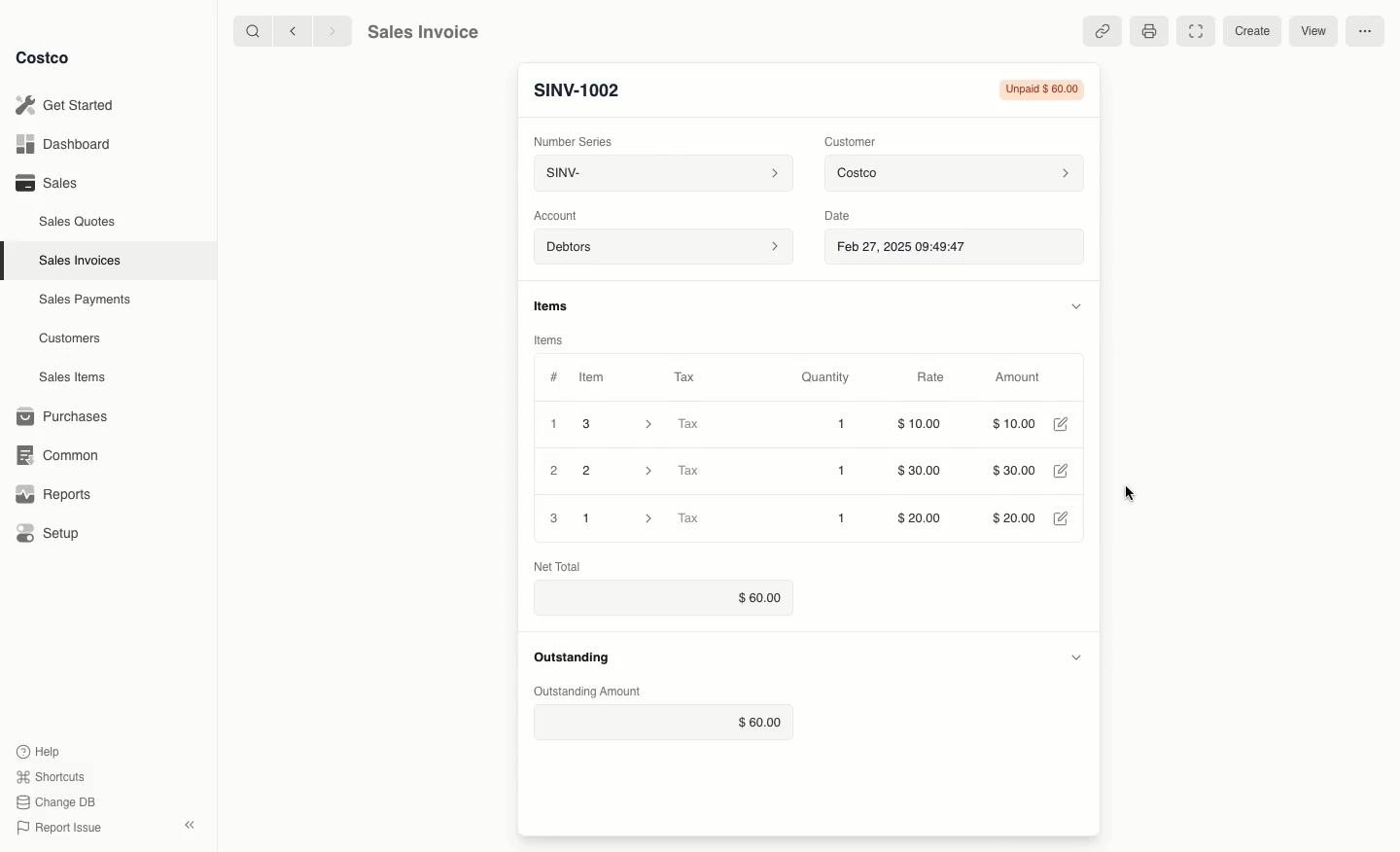 This screenshot has width=1400, height=852. Describe the element at coordinates (1151, 30) in the screenshot. I see `Print` at that location.